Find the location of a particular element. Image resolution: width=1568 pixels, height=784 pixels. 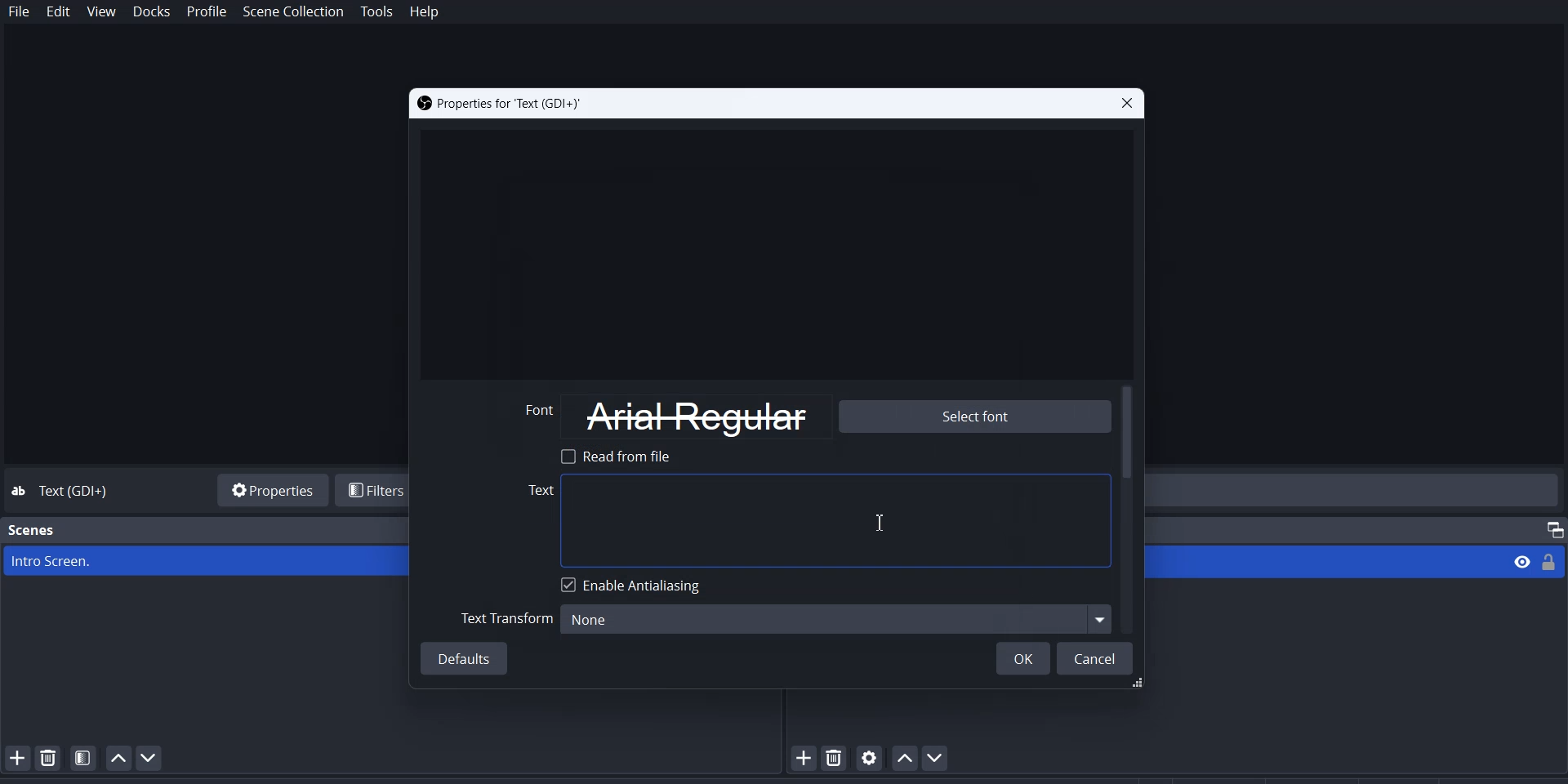

Text Transform is located at coordinates (504, 617).